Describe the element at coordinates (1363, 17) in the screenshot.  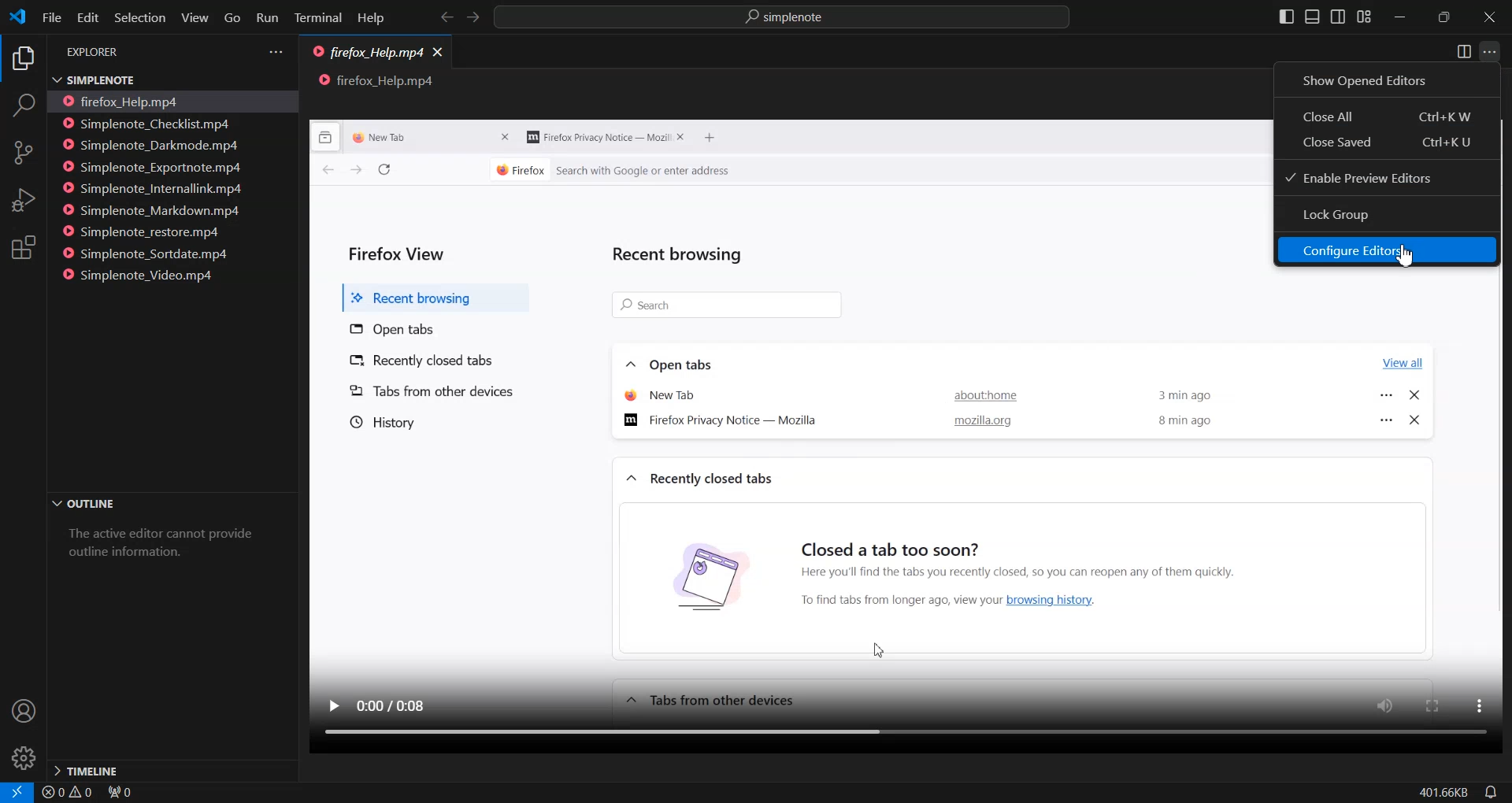
I see `Customize layout ` at that location.